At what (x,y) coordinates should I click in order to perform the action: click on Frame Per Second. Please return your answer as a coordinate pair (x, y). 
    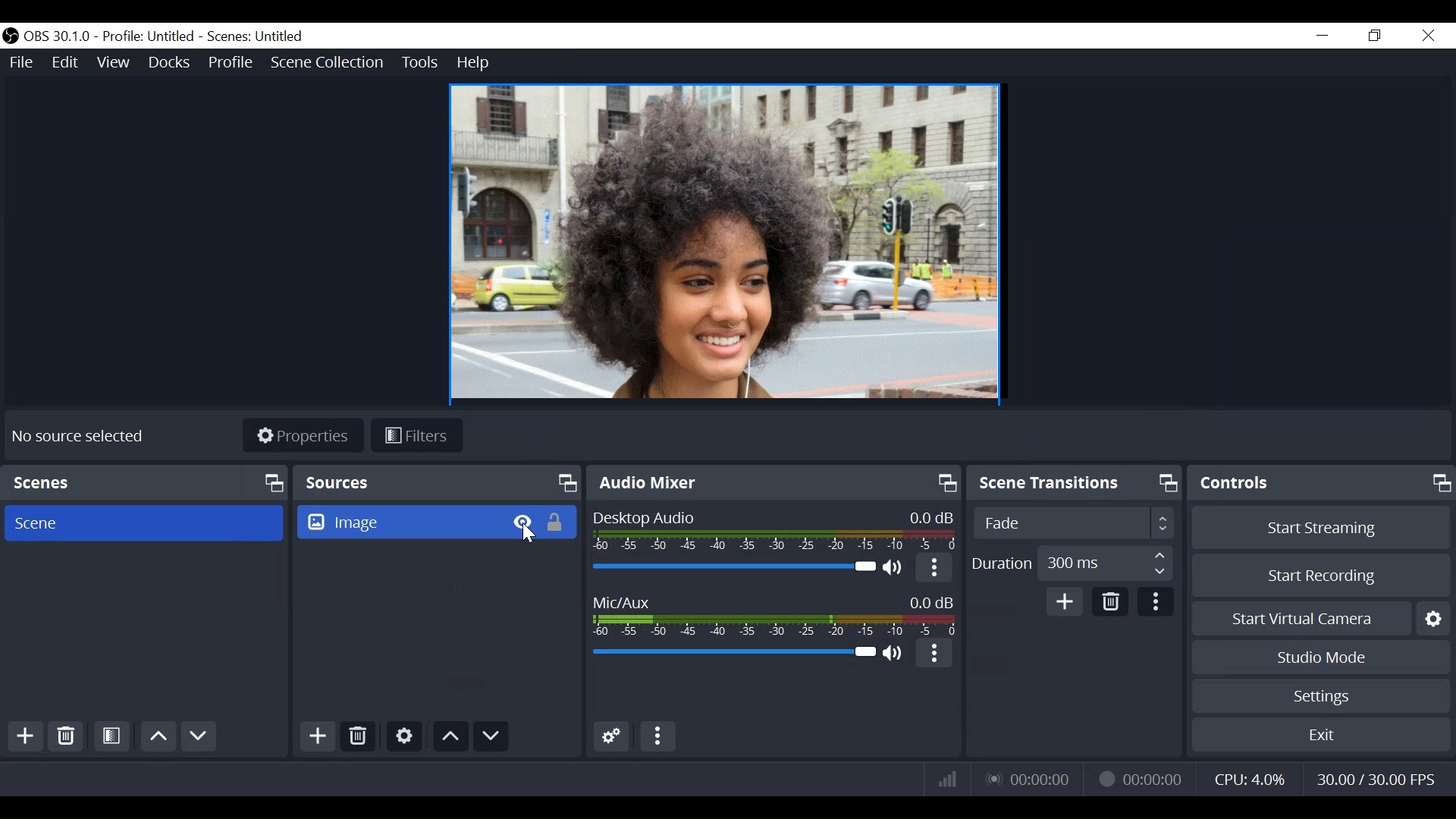
    Looking at the image, I should click on (1370, 780).